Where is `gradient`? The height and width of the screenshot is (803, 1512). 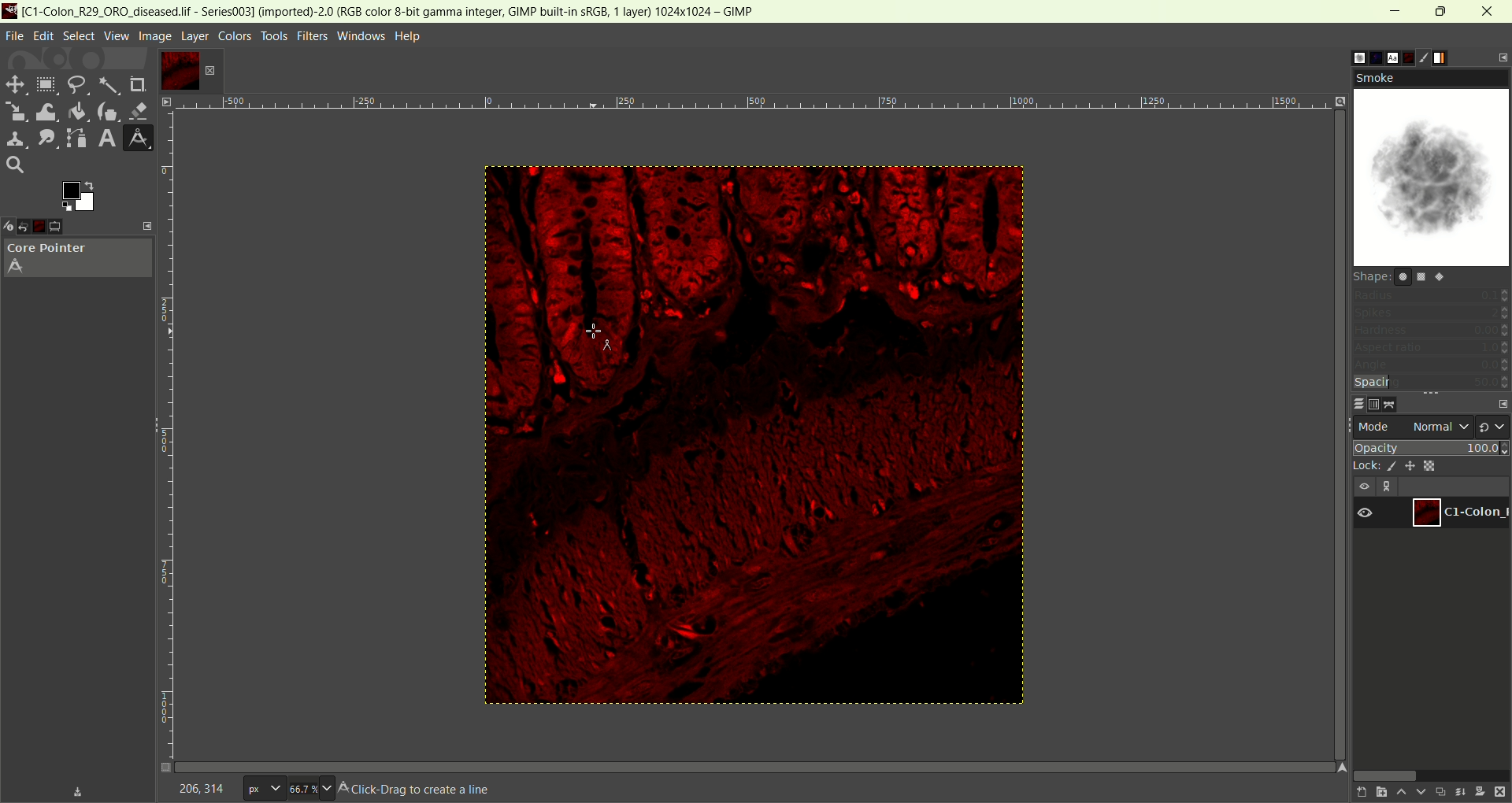 gradient is located at coordinates (1451, 57).